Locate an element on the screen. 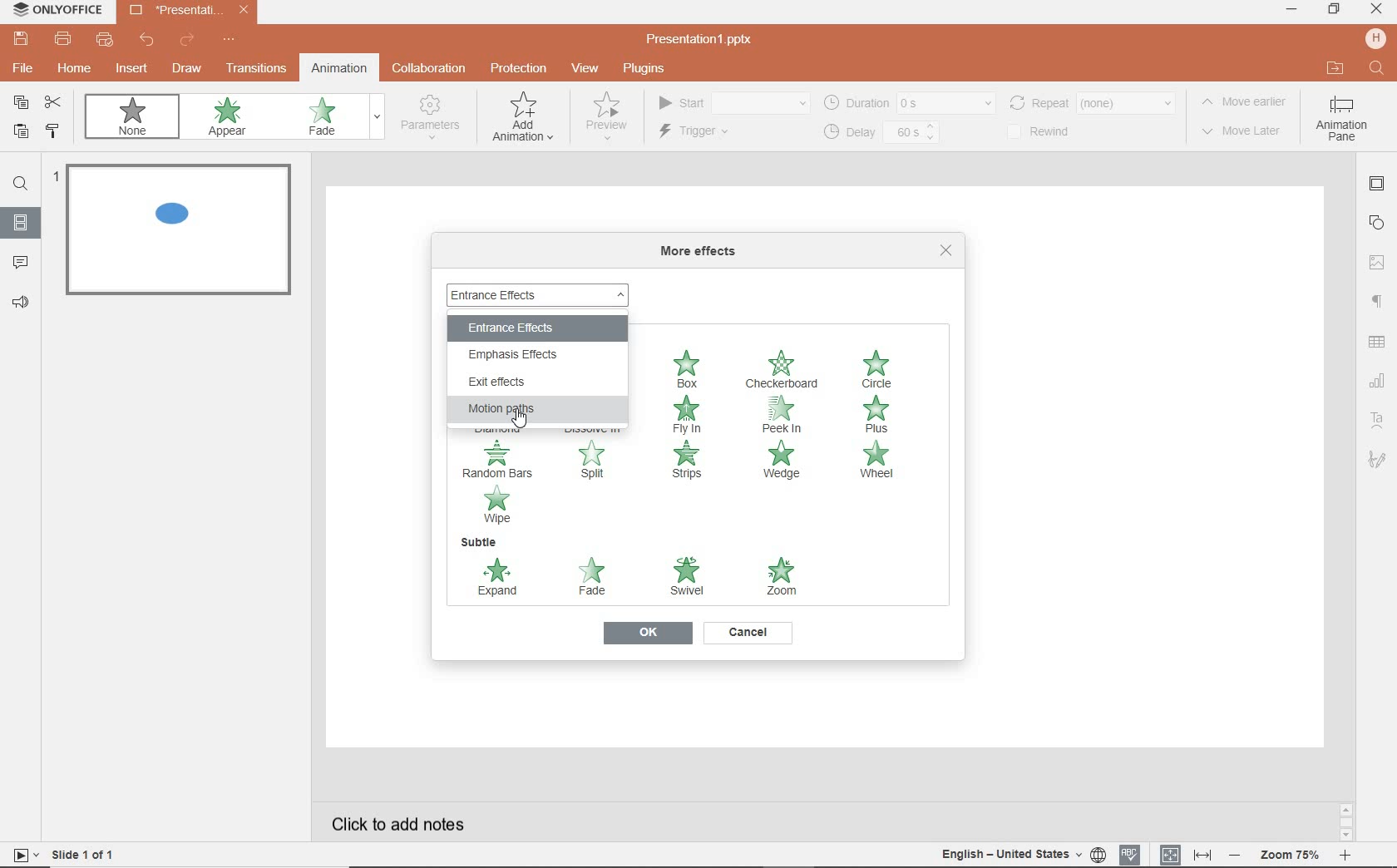  PLUS is located at coordinates (881, 415).